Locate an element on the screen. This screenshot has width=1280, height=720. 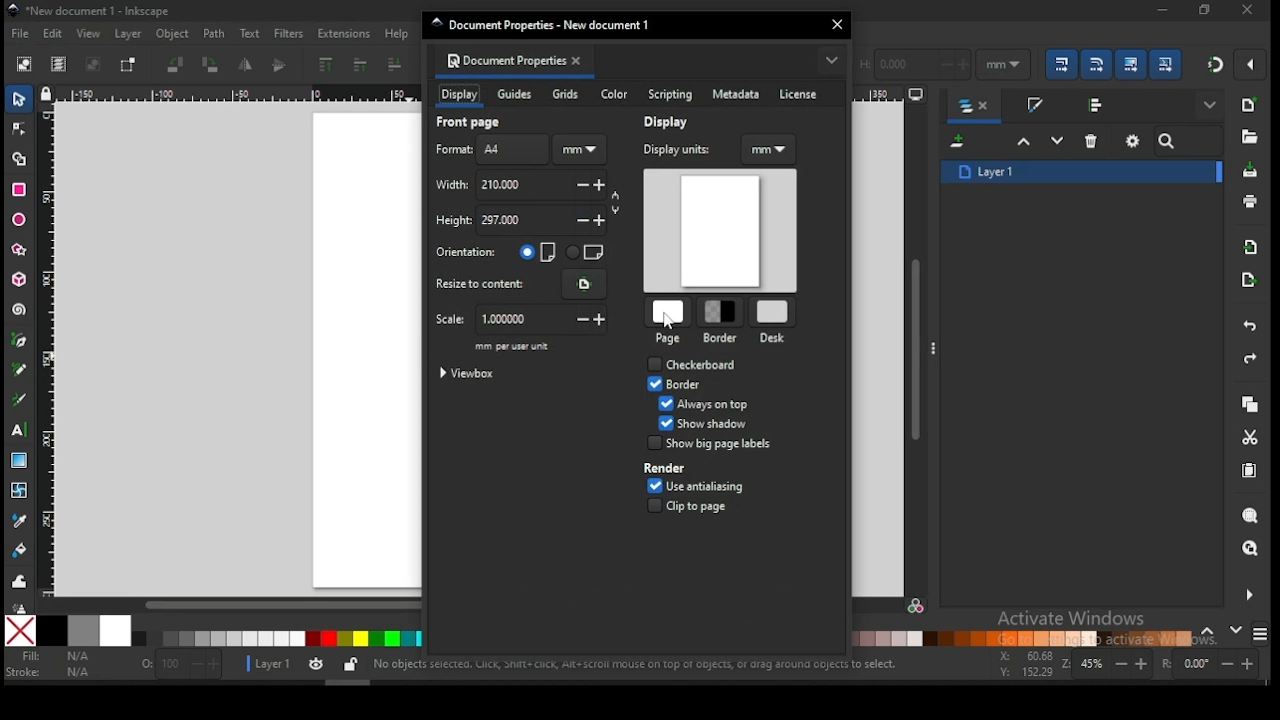
filters is located at coordinates (287, 32).